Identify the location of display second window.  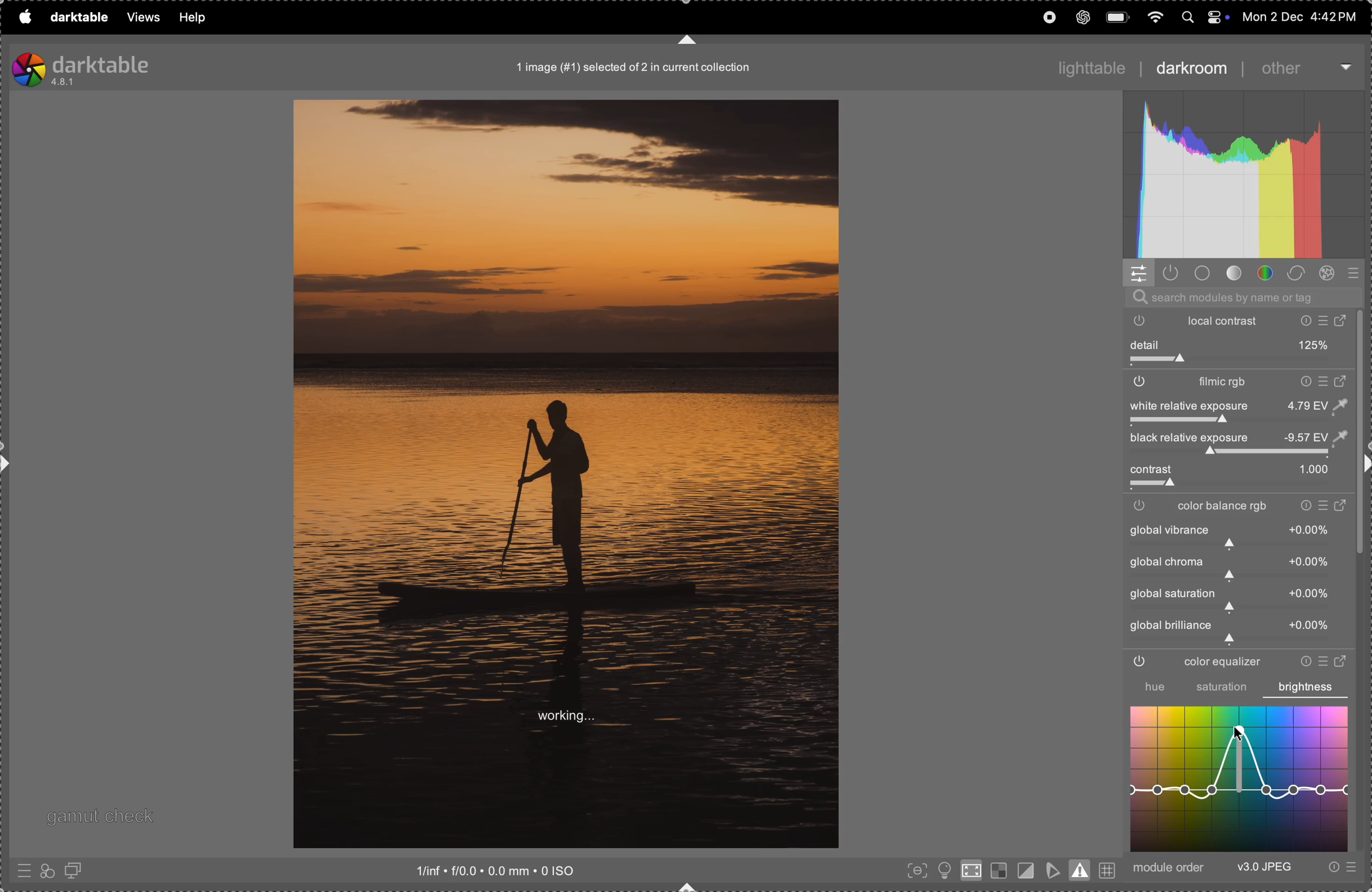
(78, 870).